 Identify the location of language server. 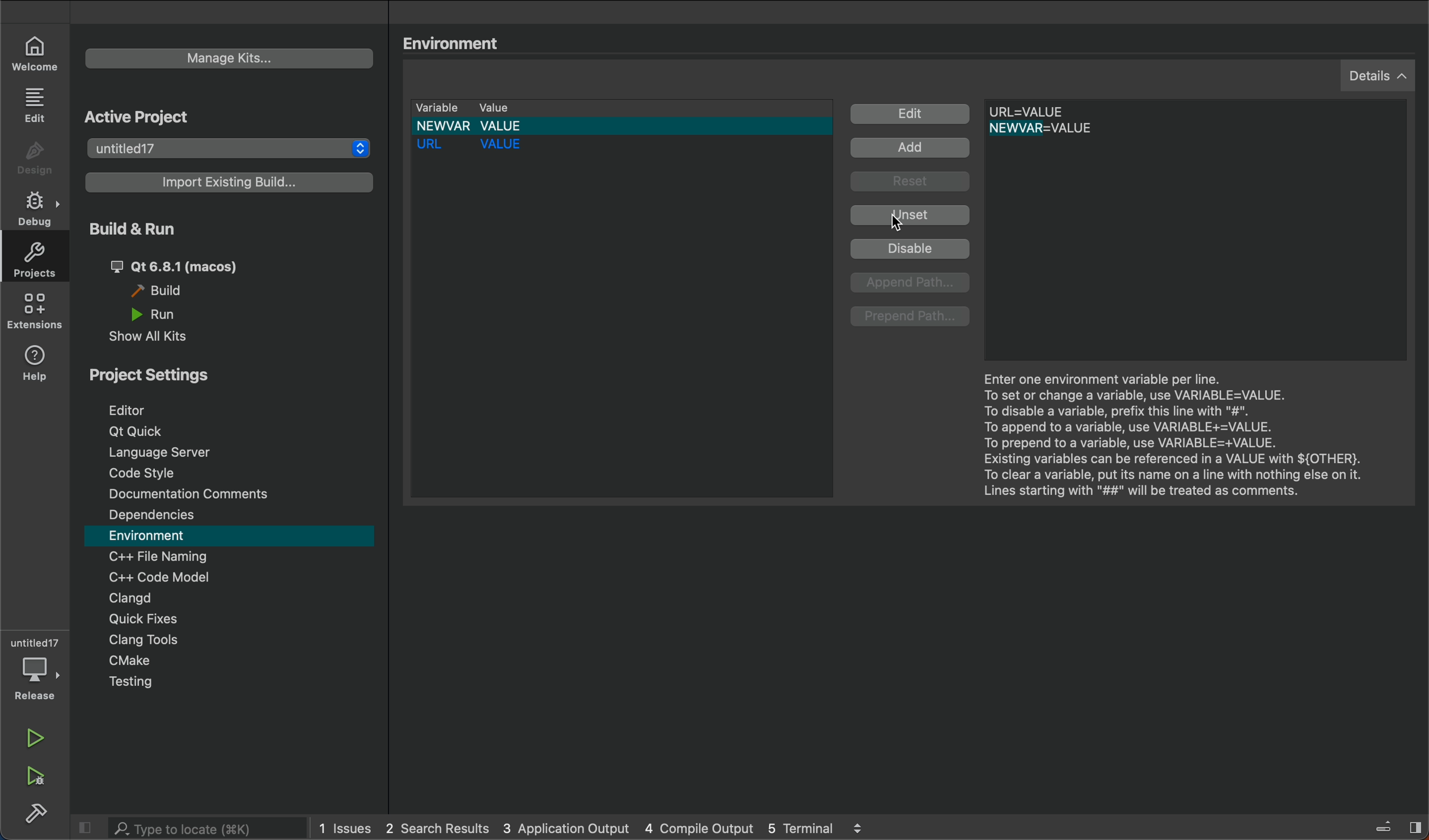
(163, 452).